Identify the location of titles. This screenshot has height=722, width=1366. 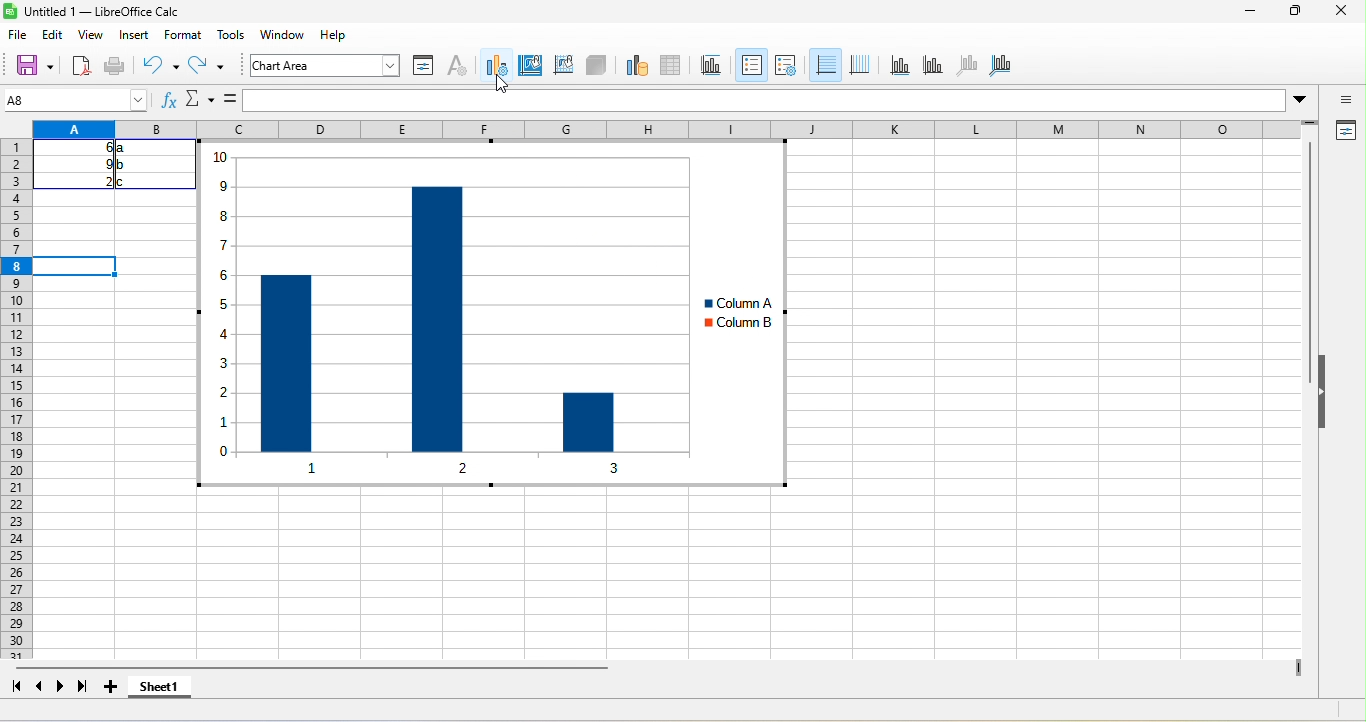
(750, 64).